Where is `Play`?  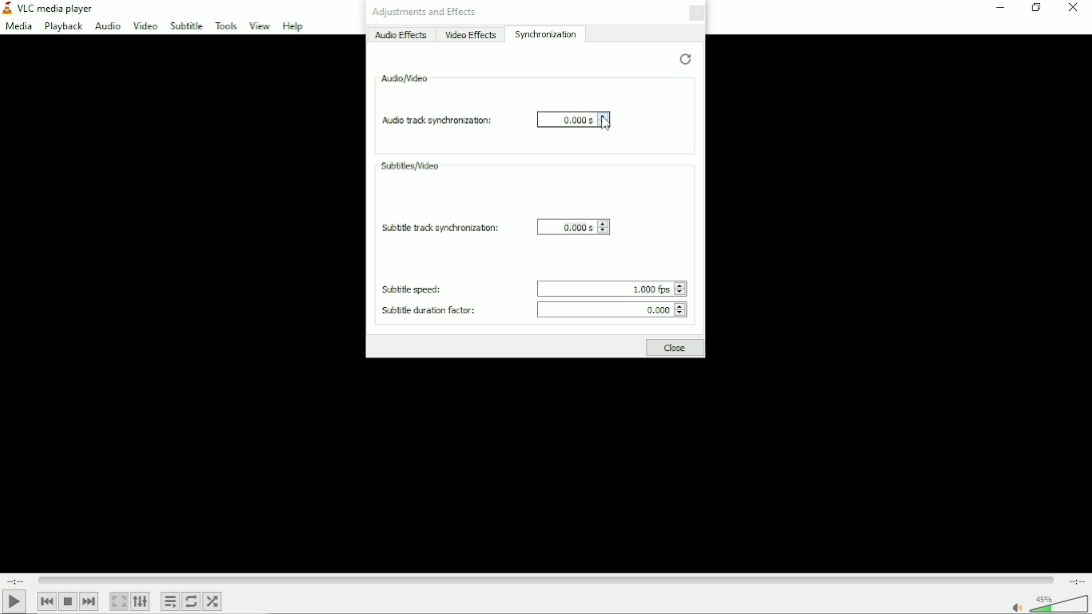
Play is located at coordinates (14, 602).